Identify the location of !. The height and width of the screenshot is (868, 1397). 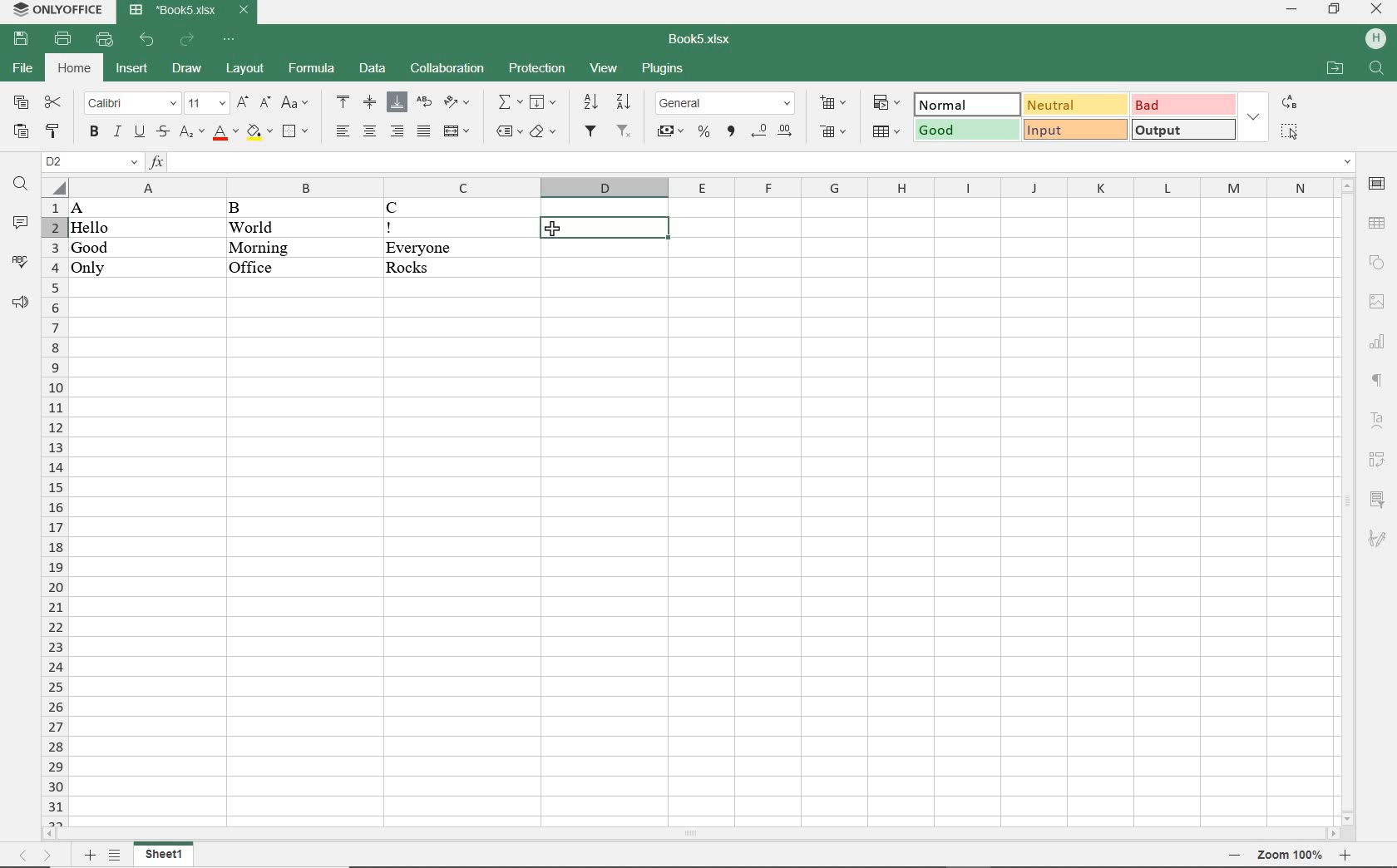
(442, 228).